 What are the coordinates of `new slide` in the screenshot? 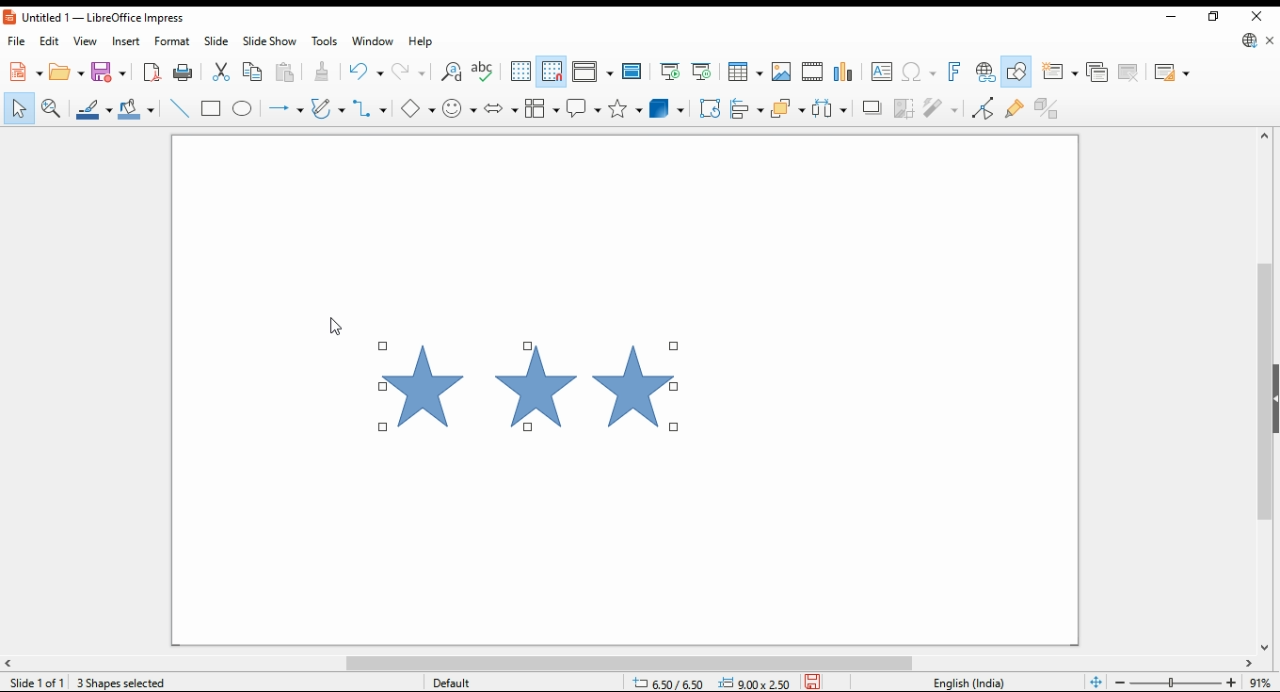 It's located at (1059, 72).